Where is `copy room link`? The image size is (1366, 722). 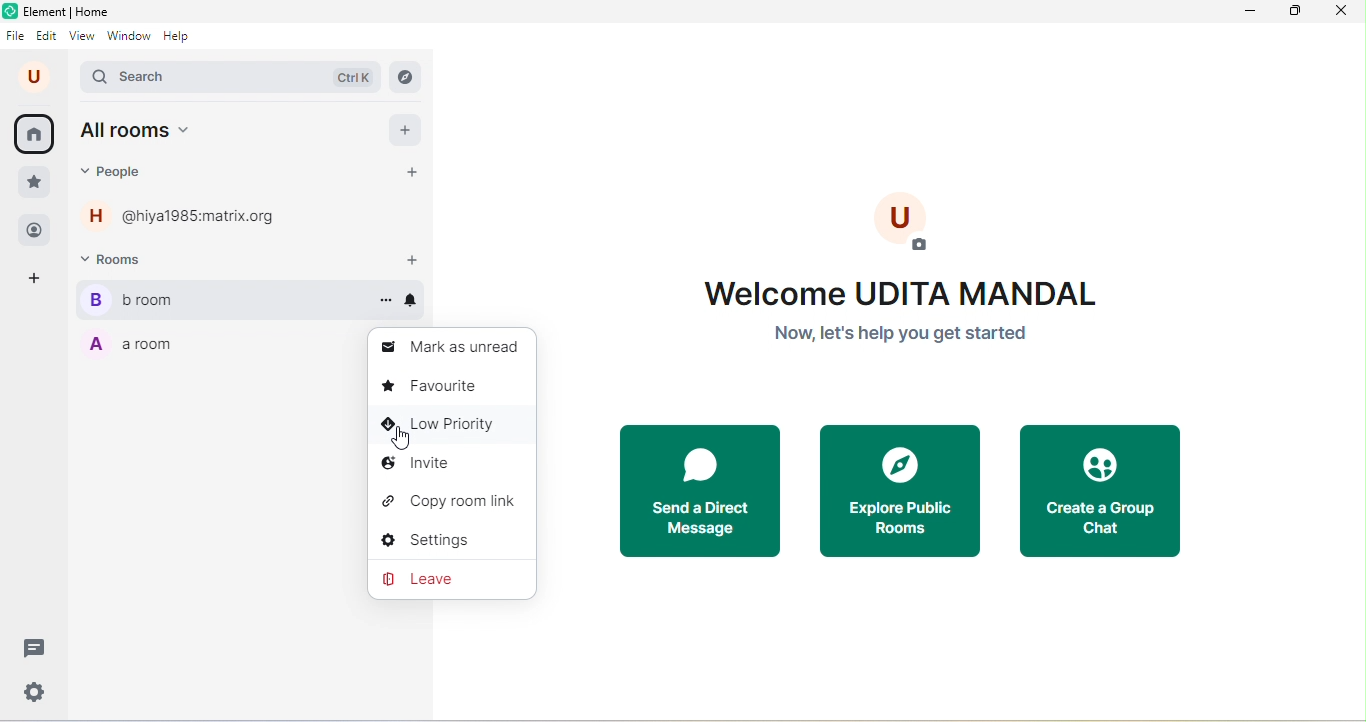 copy room link is located at coordinates (448, 501).